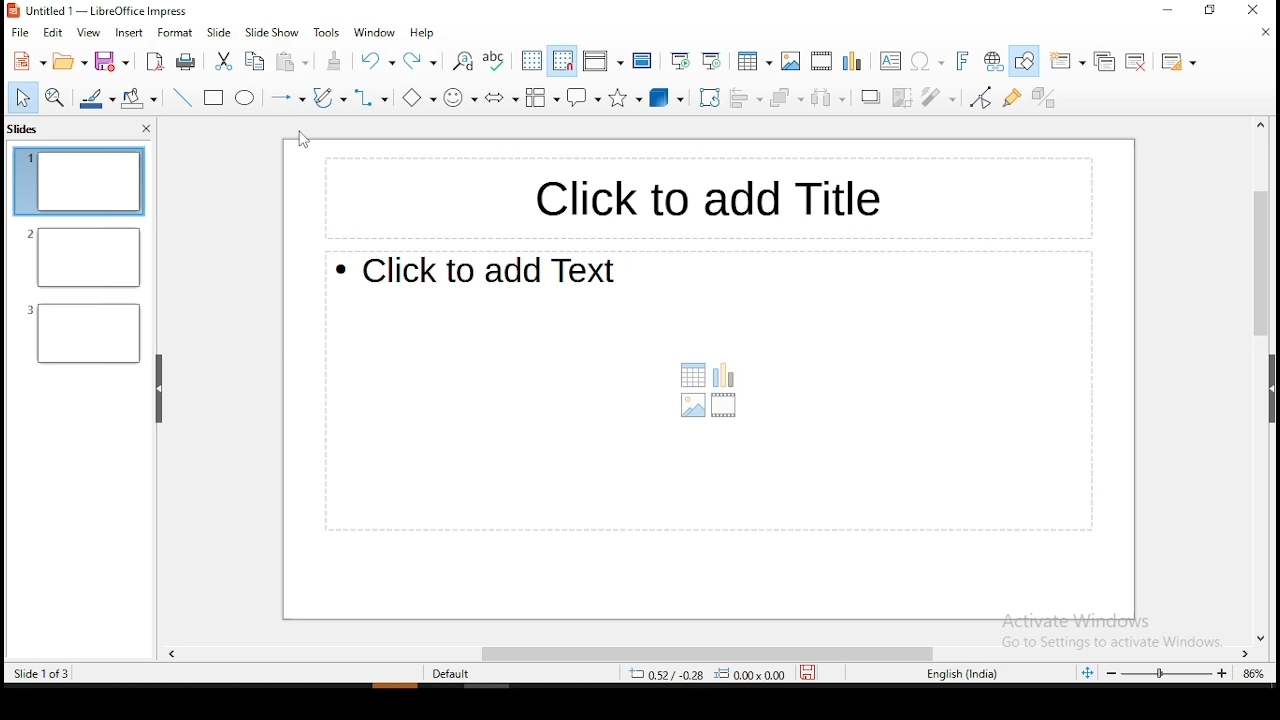  What do you see at coordinates (1011, 97) in the screenshot?
I see `show gluepoint functions` at bounding box center [1011, 97].